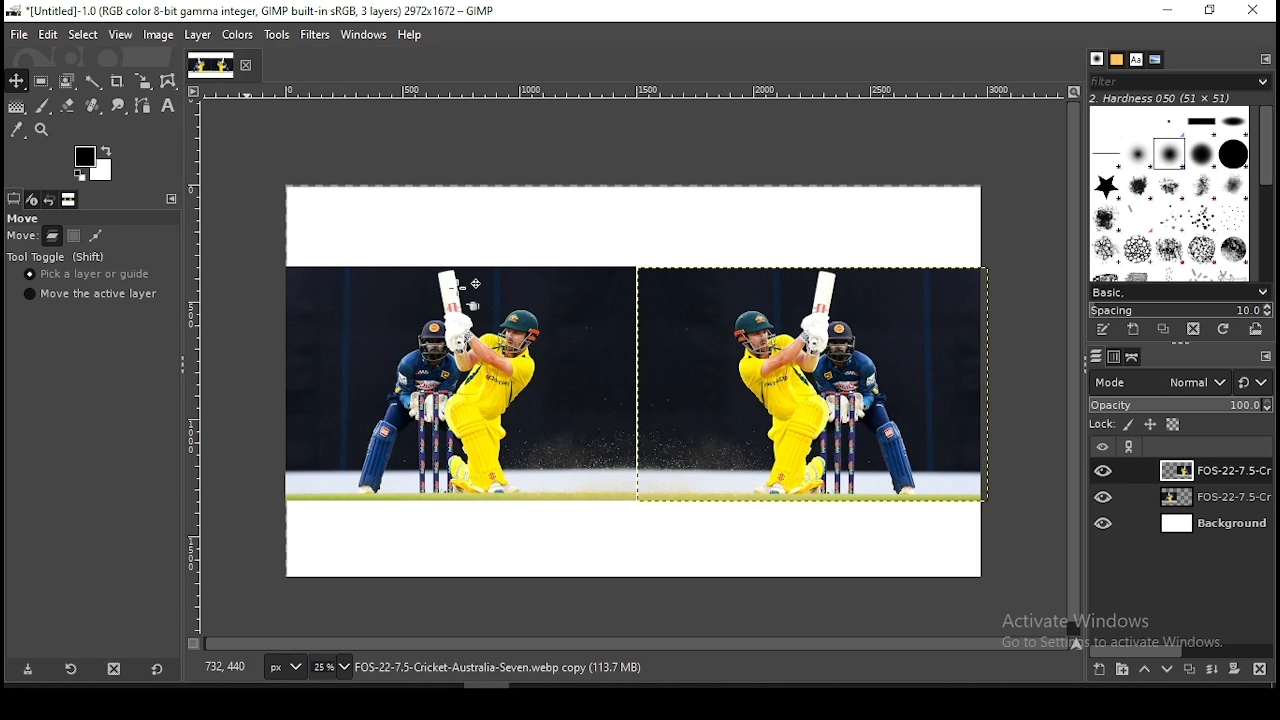  I want to click on color picker tool, so click(17, 129).